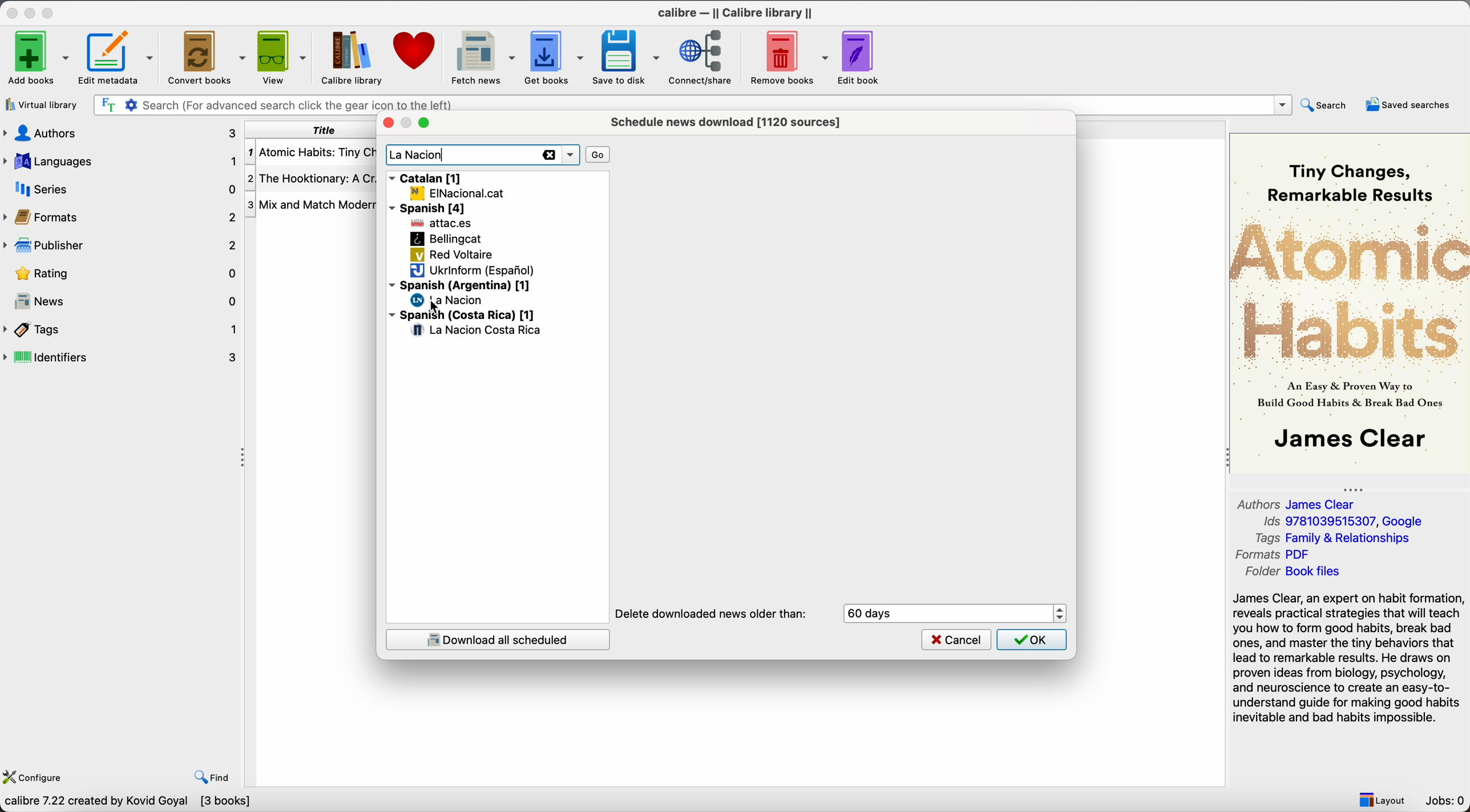  What do you see at coordinates (430, 208) in the screenshot?
I see `spanish [4]` at bounding box center [430, 208].